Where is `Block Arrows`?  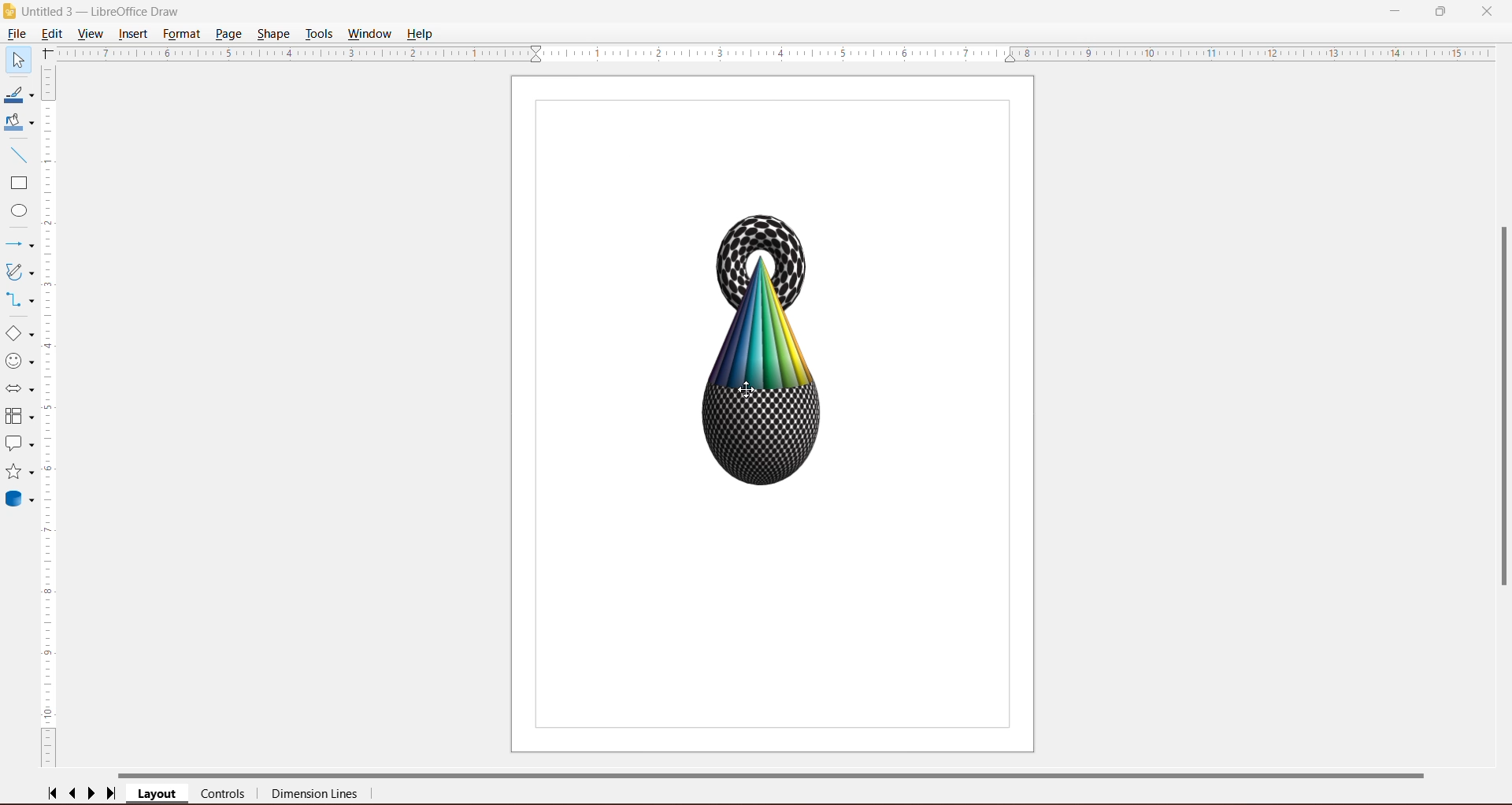
Block Arrows is located at coordinates (20, 388).